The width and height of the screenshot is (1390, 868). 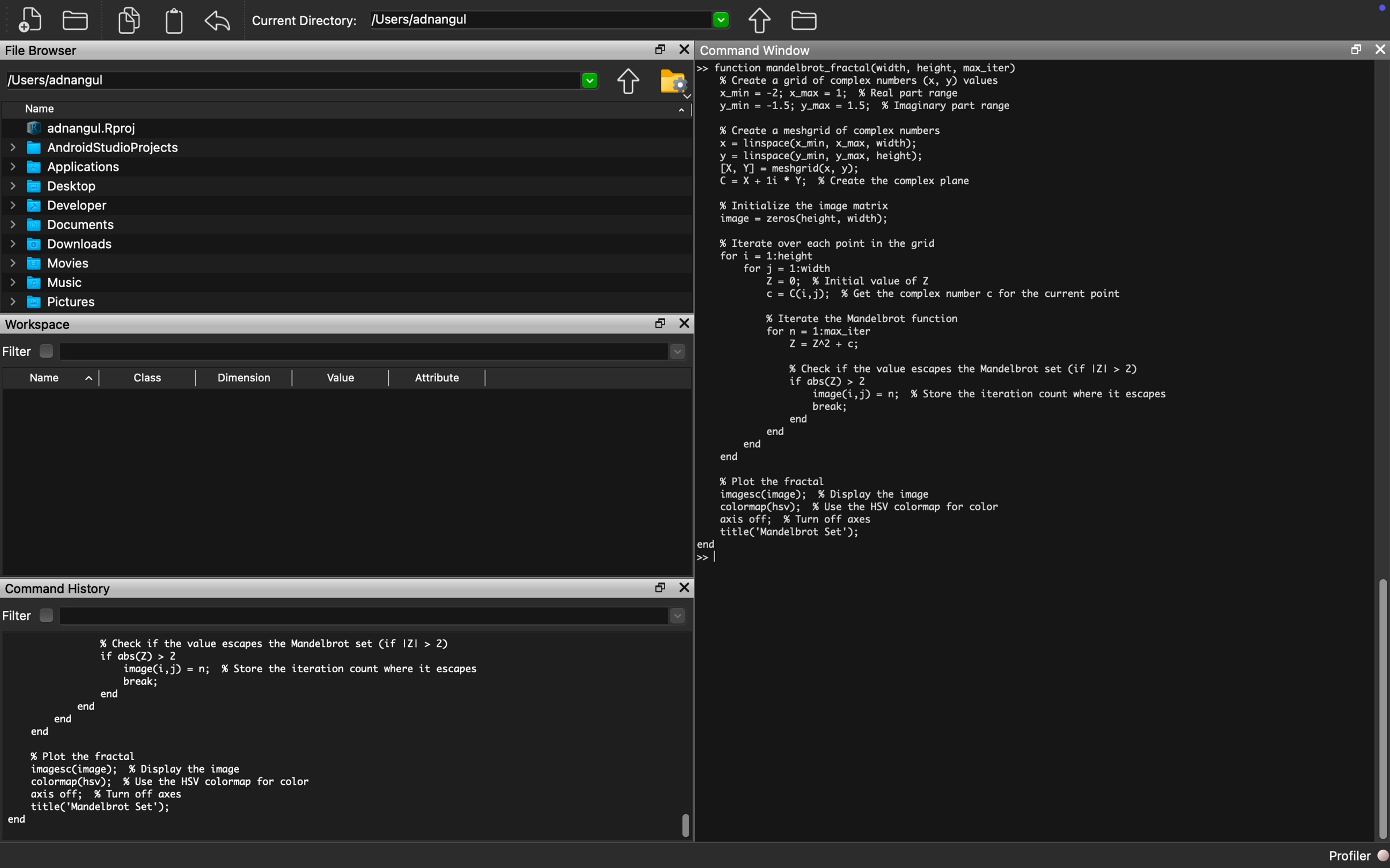 I want to click on Restore Down, so click(x=660, y=588).